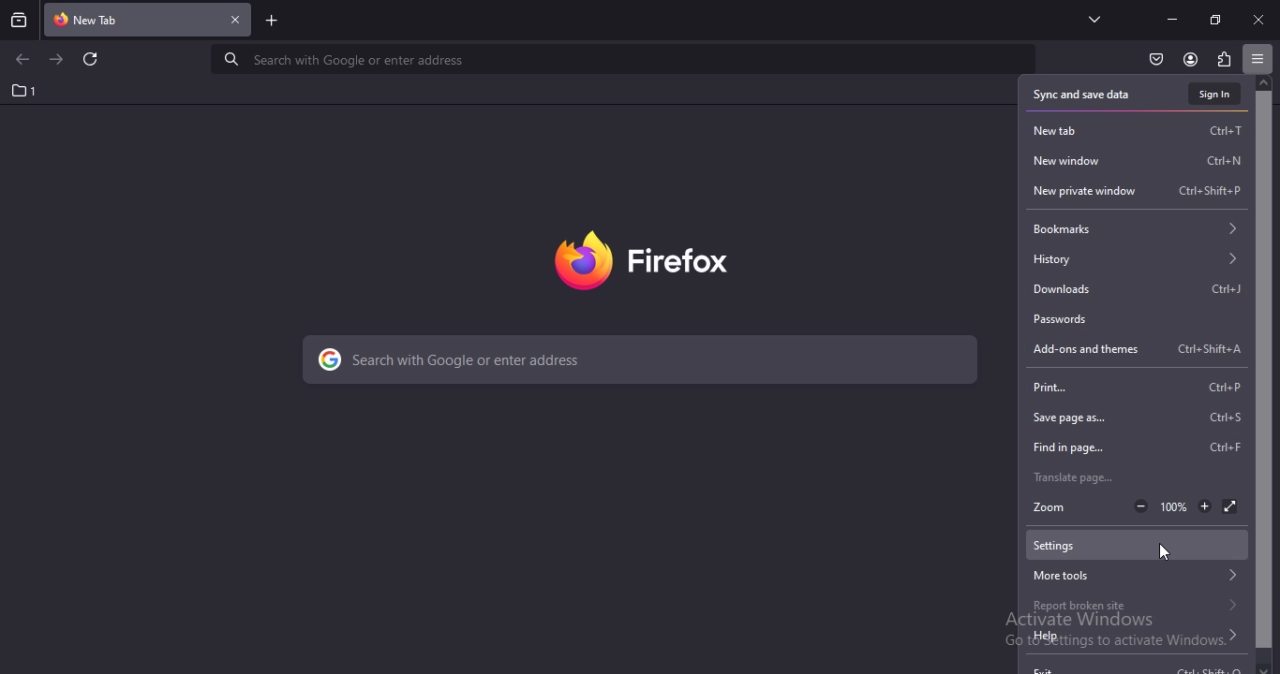 This screenshot has height=674, width=1280. Describe the element at coordinates (19, 90) in the screenshot. I see `1` at that location.